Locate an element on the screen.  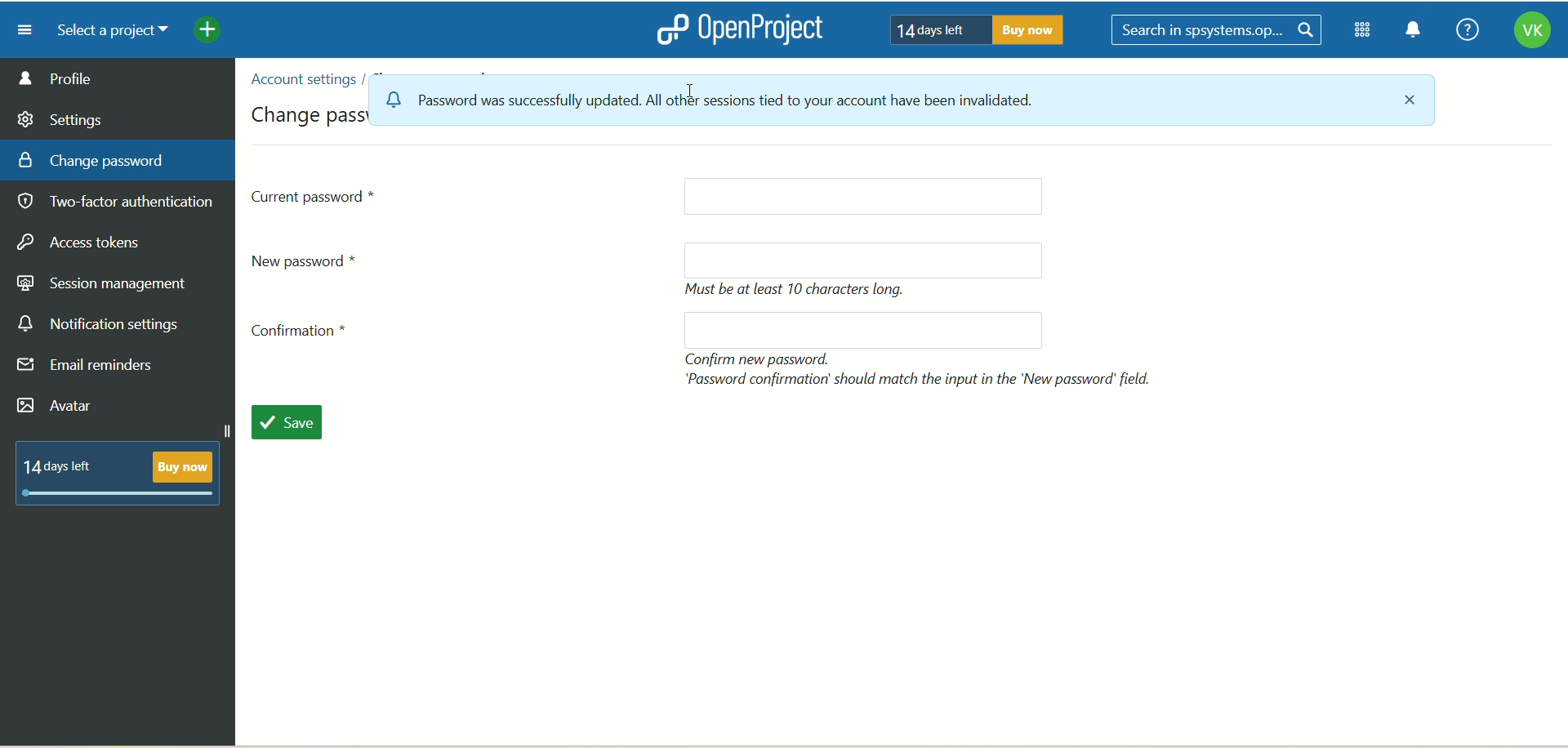
new password is located at coordinates (864, 260).